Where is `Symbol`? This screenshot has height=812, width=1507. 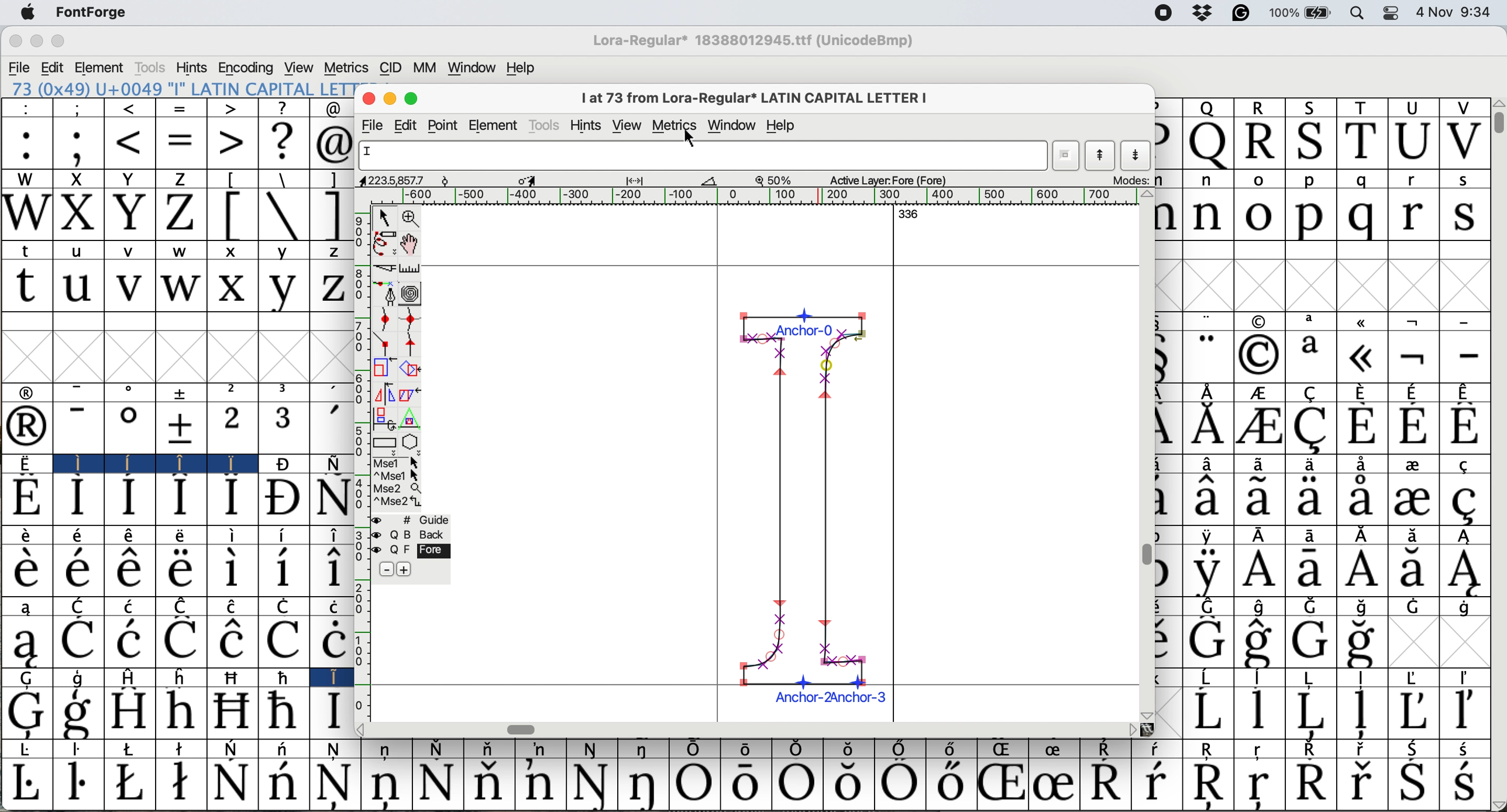
Symbol is located at coordinates (1208, 465).